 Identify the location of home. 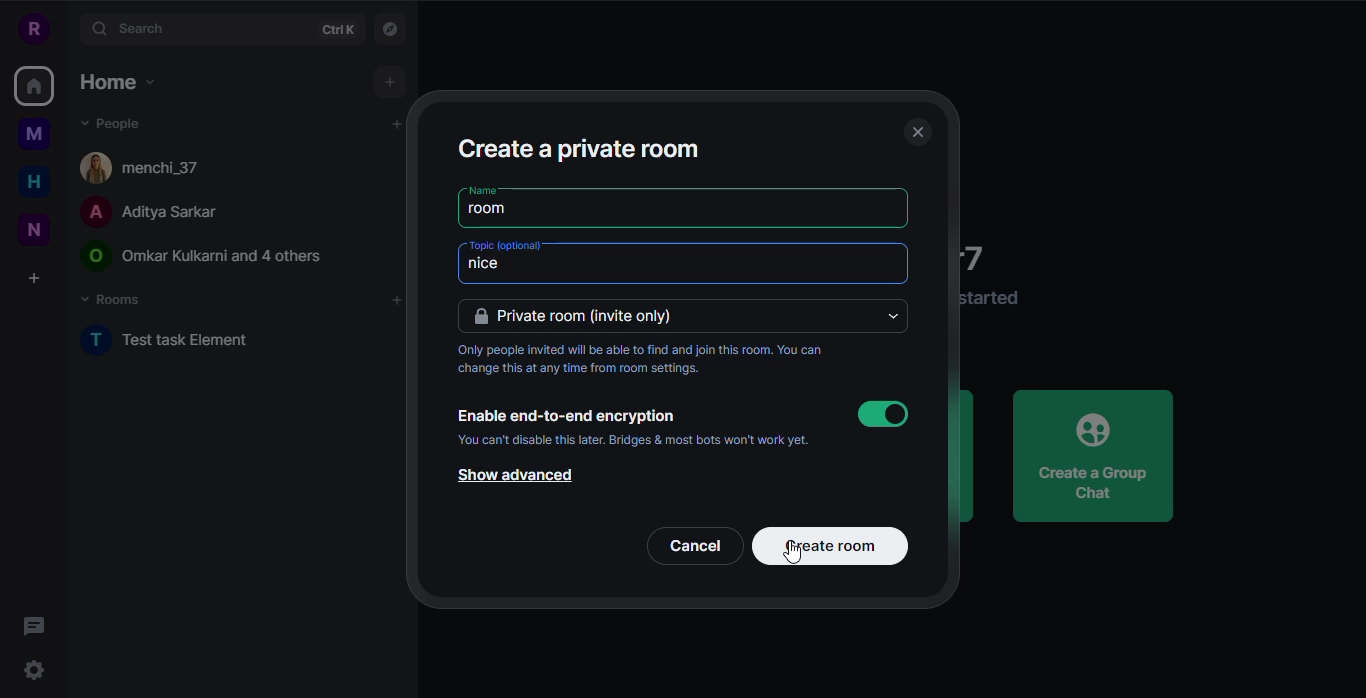
(32, 88).